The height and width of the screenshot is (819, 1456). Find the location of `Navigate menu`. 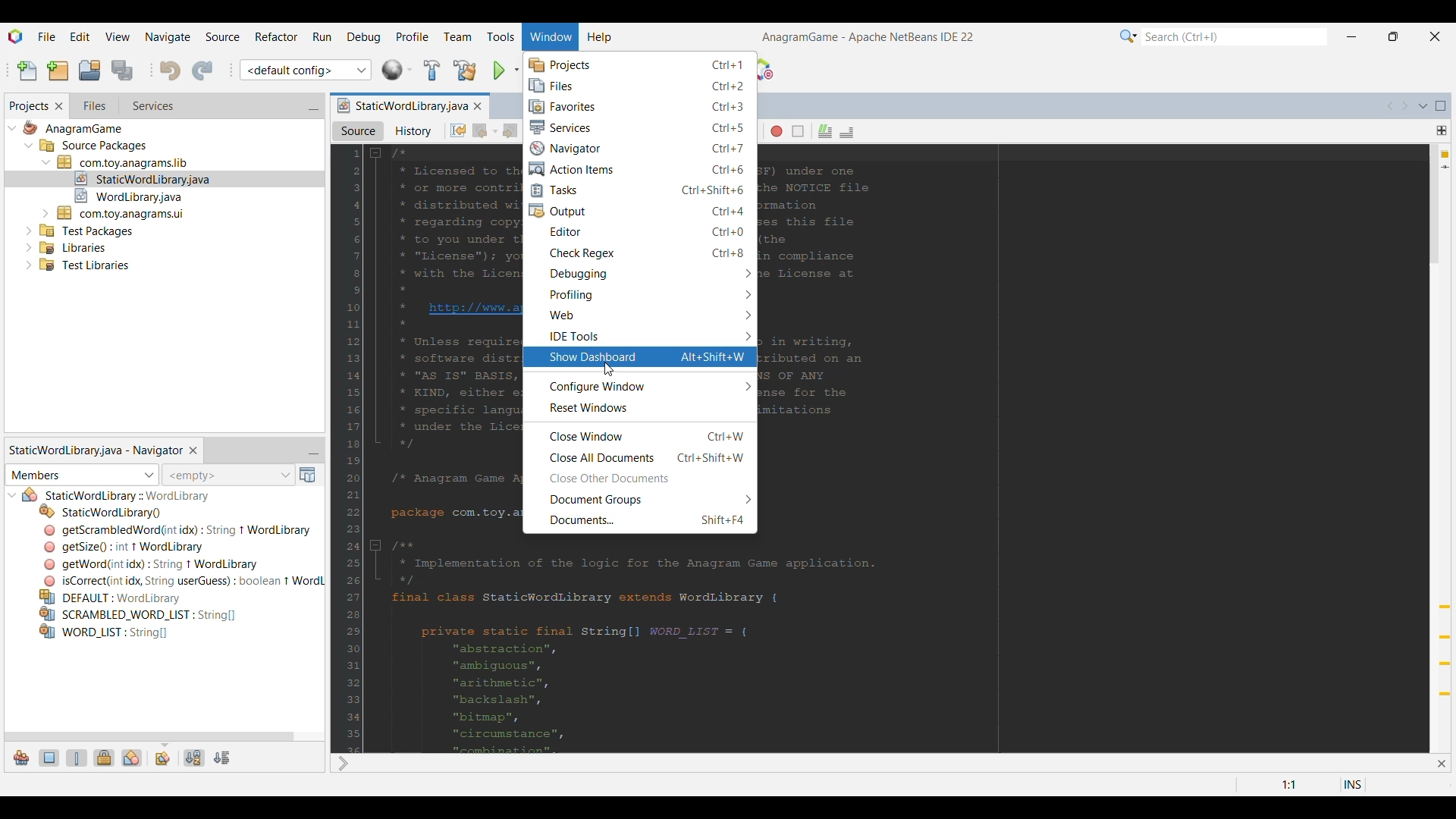

Navigate menu is located at coordinates (167, 36).